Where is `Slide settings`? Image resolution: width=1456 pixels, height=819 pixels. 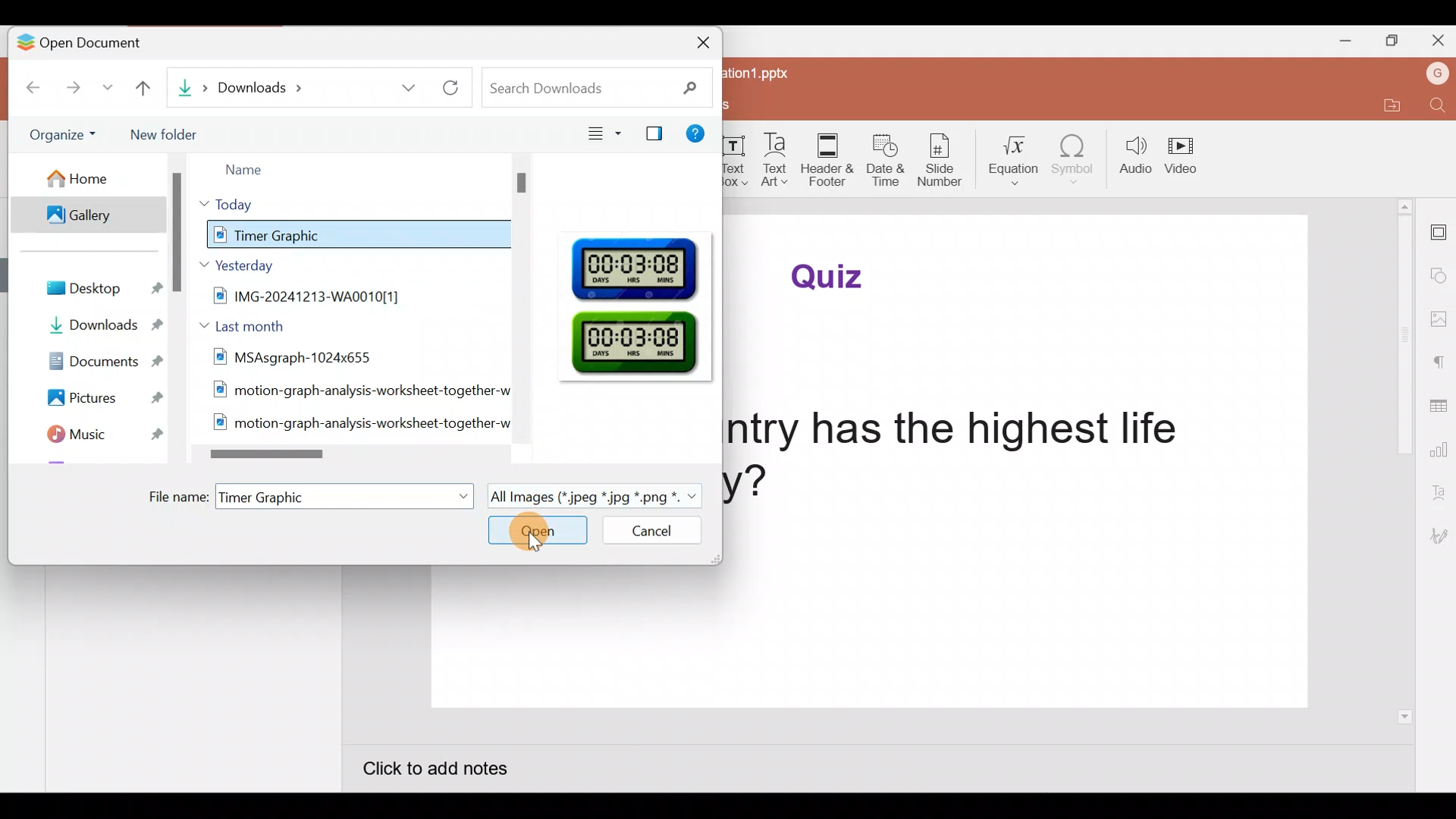
Slide settings is located at coordinates (1439, 230).